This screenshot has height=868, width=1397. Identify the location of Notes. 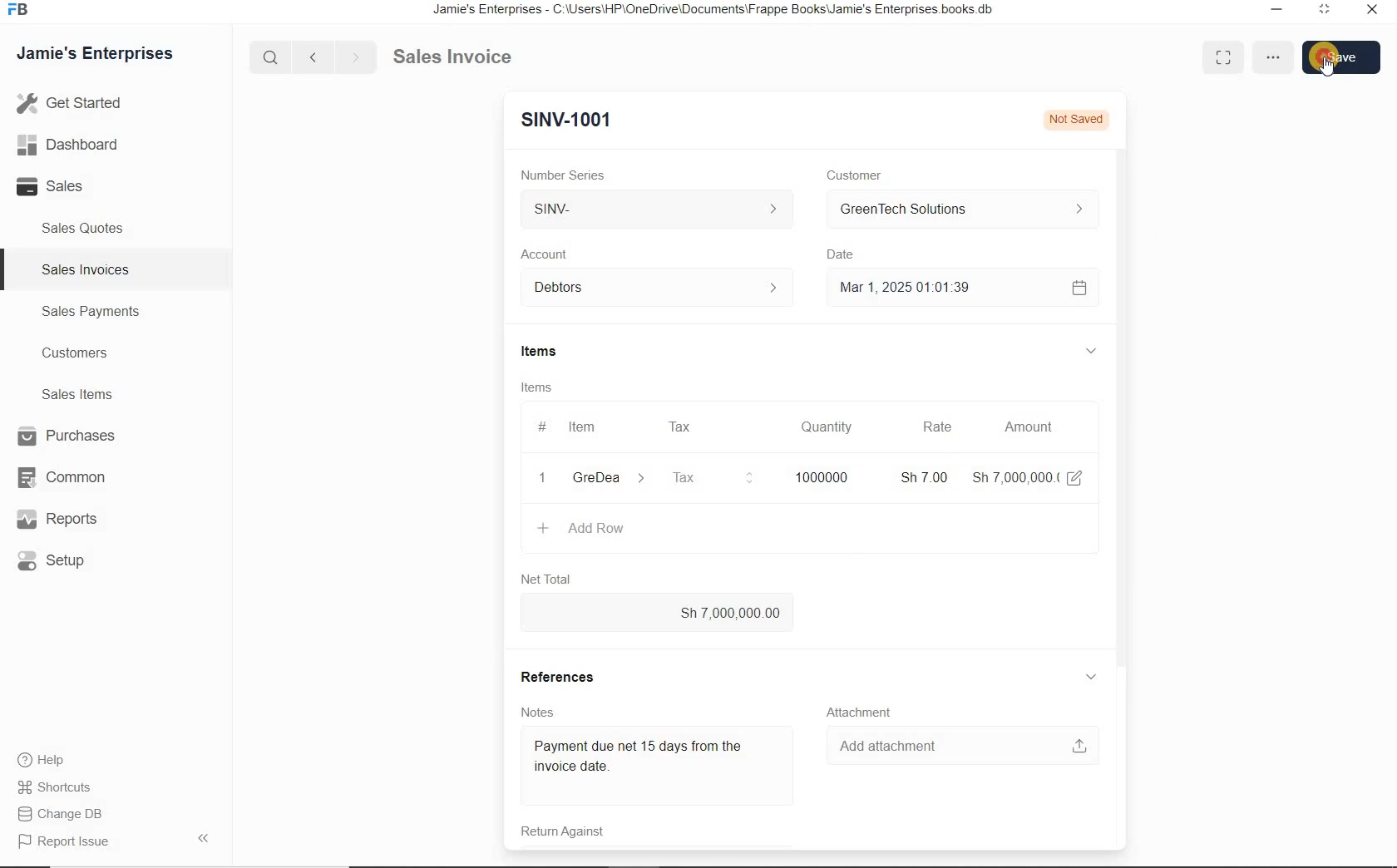
(531, 711).